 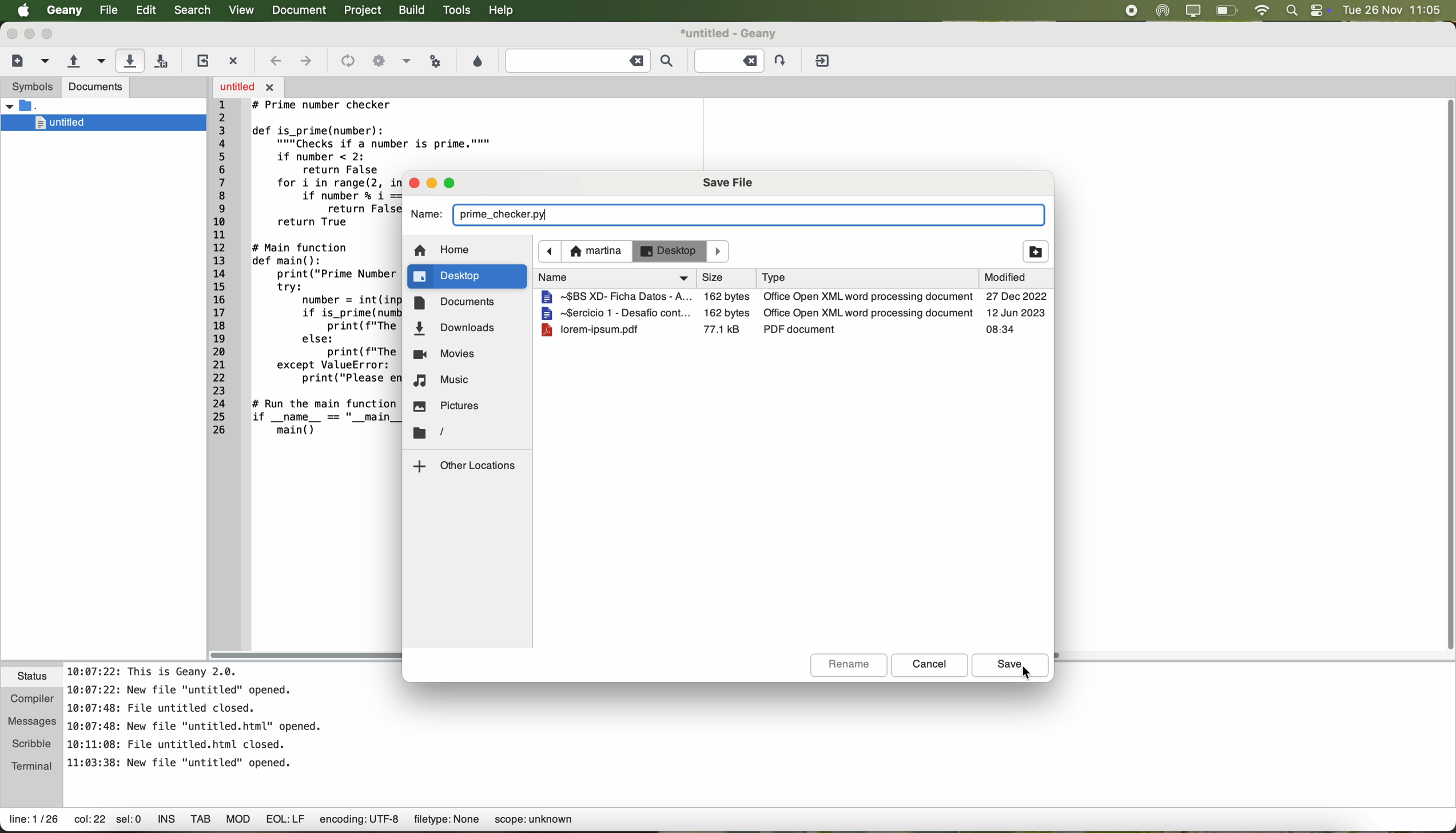 What do you see at coordinates (202, 61) in the screenshot?
I see `reload the current file from disk` at bounding box center [202, 61].